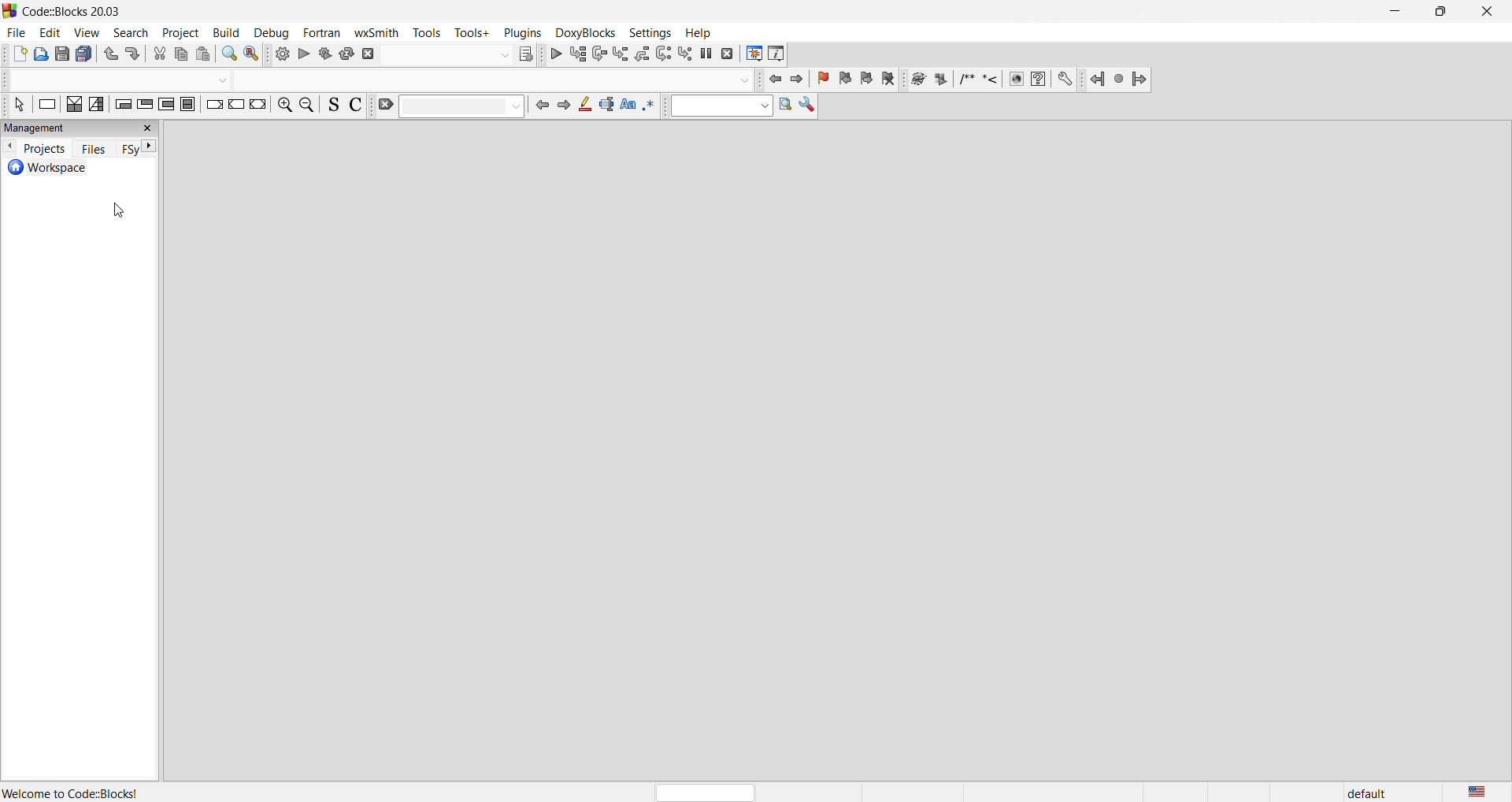 This screenshot has height=802, width=1512. I want to click on default, so click(1362, 792).